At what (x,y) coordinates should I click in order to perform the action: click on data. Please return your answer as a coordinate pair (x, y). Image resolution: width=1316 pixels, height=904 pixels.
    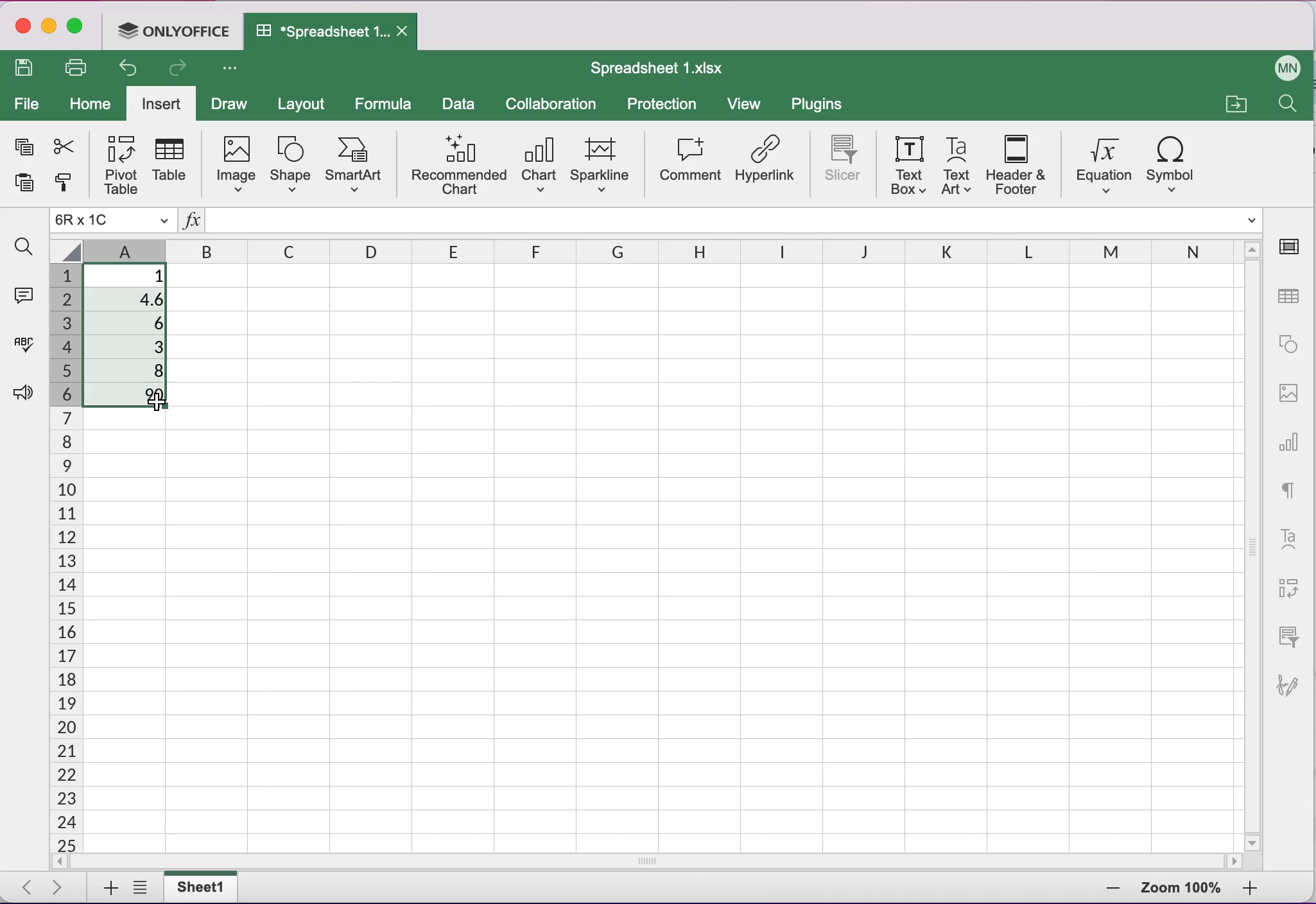
    Looking at the image, I should click on (460, 105).